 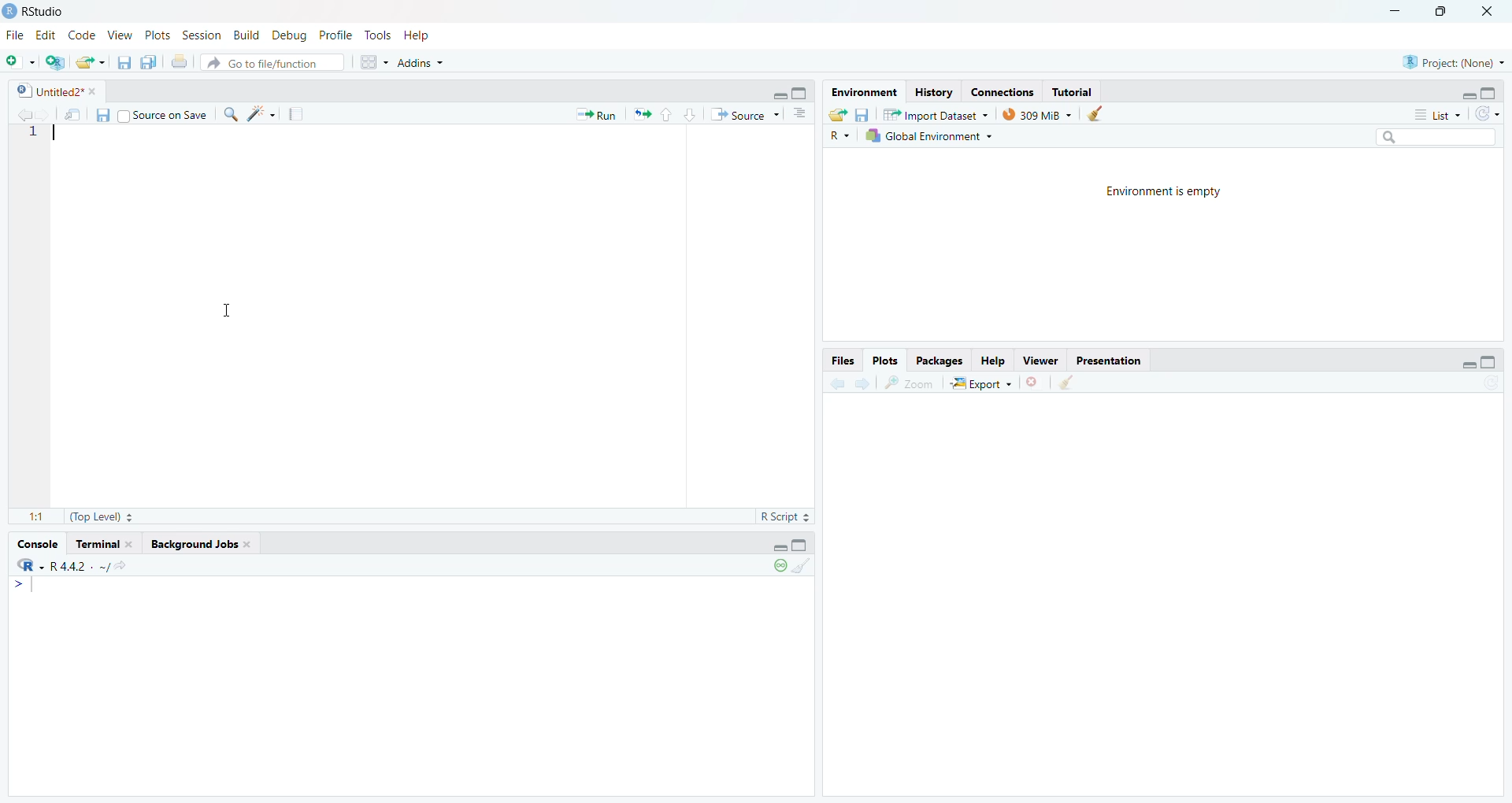 I want to click on ‘Console, so click(x=37, y=542).